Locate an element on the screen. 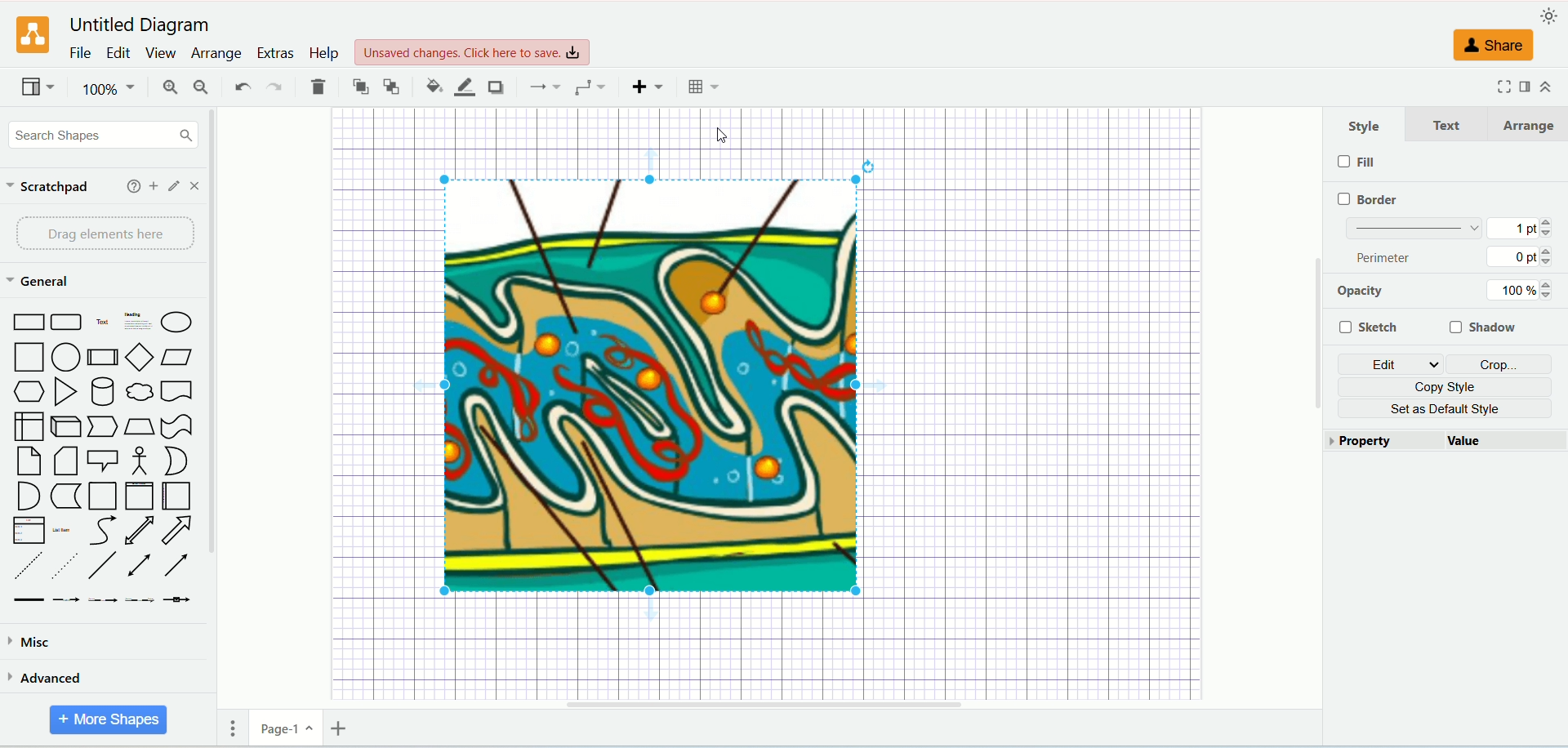 The width and height of the screenshot is (1568, 748). view is located at coordinates (158, 51).